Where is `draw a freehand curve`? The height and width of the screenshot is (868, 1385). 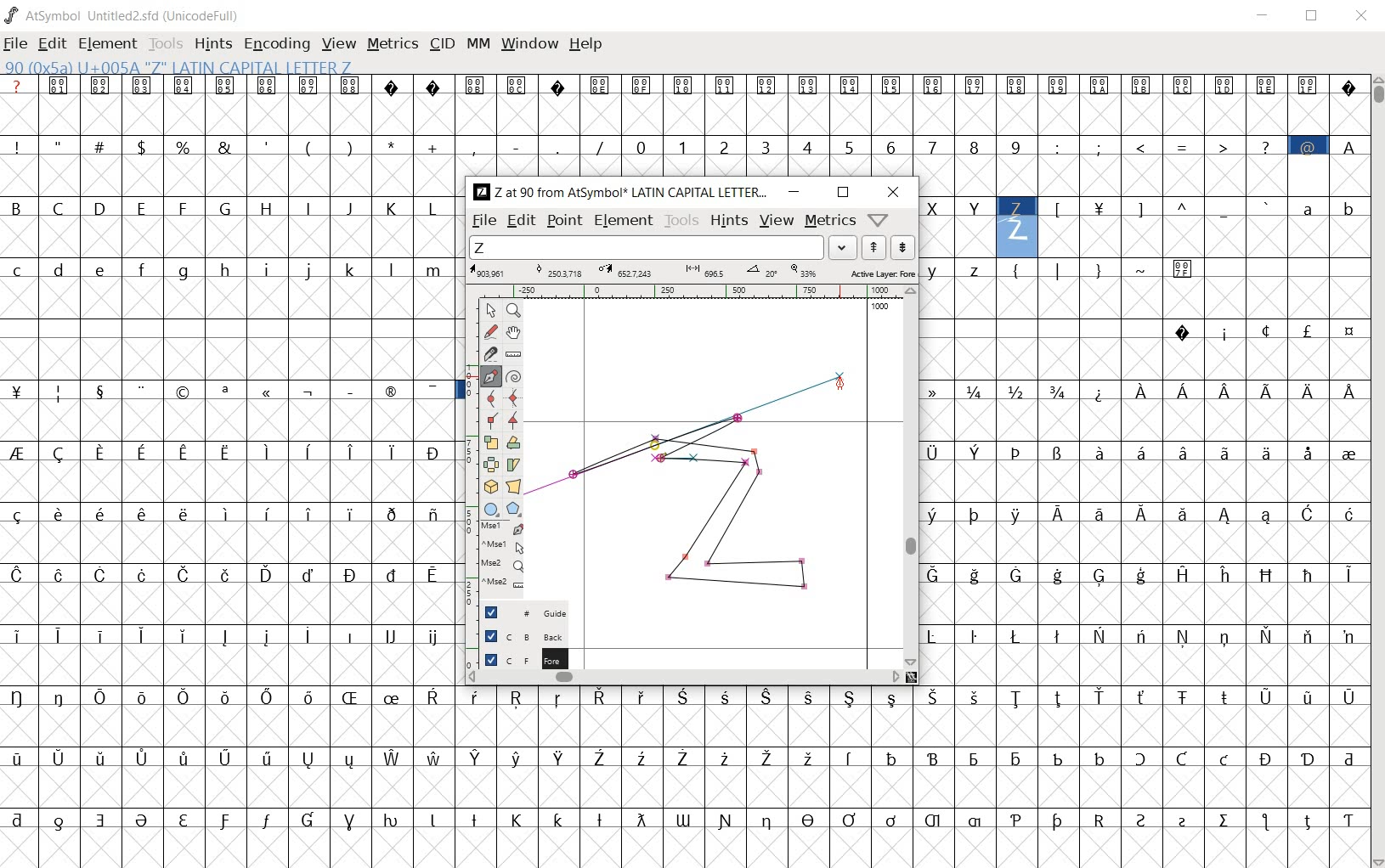 draw a freehand curve is located at coordinates (490, 332).